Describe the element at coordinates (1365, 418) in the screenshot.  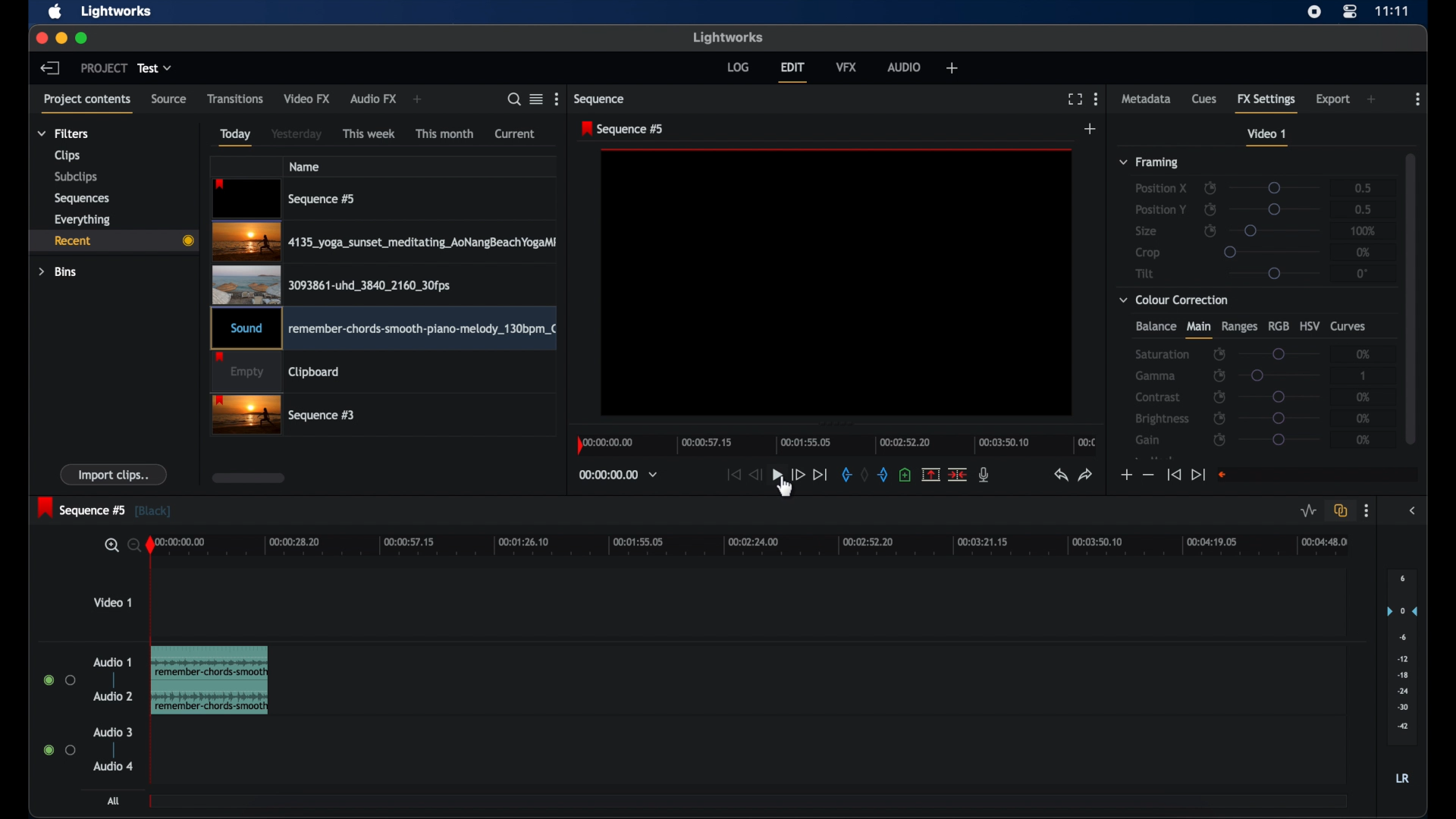
I see `0%` at that location.